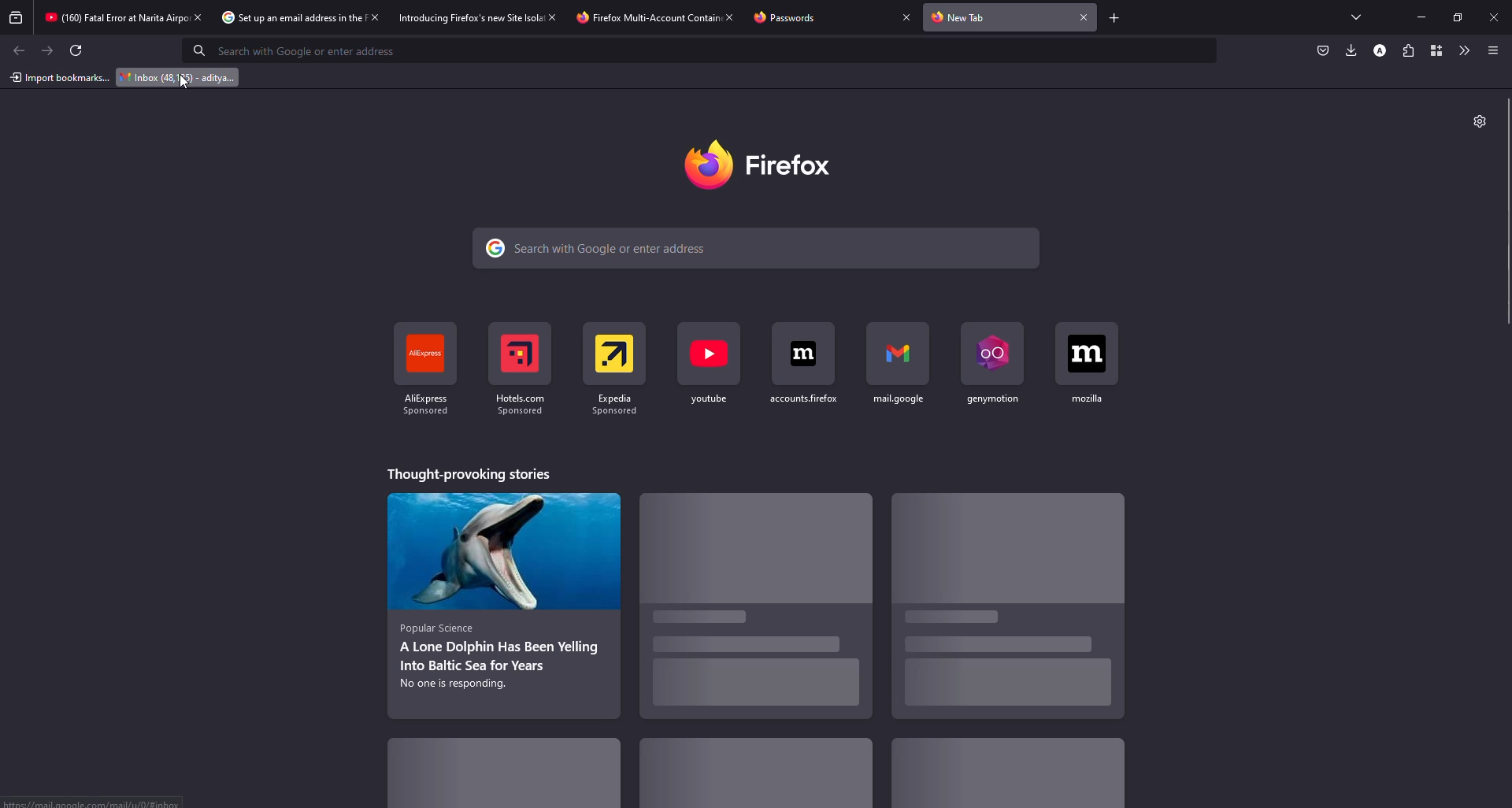  What do you see at coordinates (376, 17) in the screenshot?
I see `close` at bounding box center [376, 17].